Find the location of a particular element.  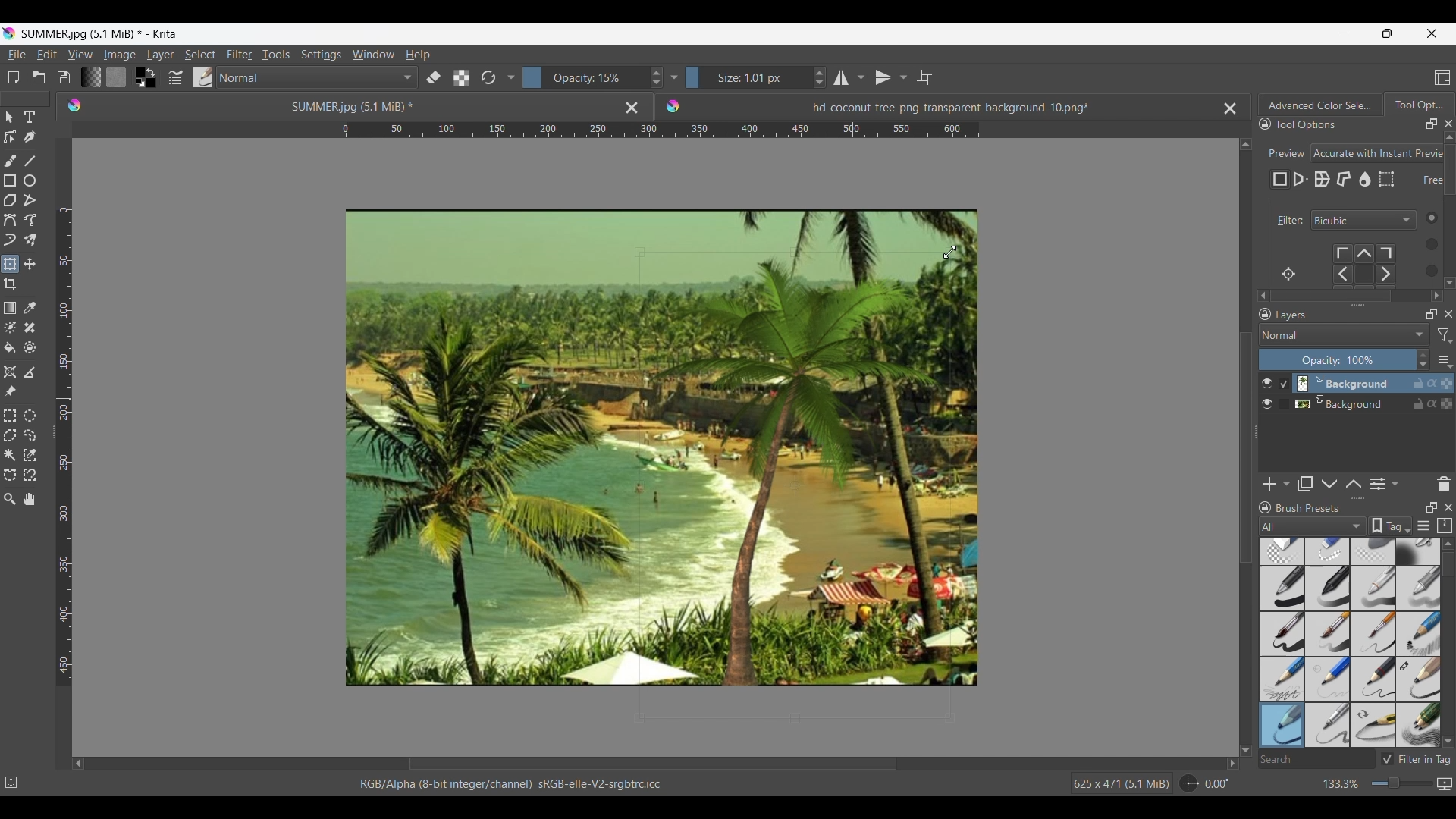

Show/Hide layer is located at coordinates (1268, 404).